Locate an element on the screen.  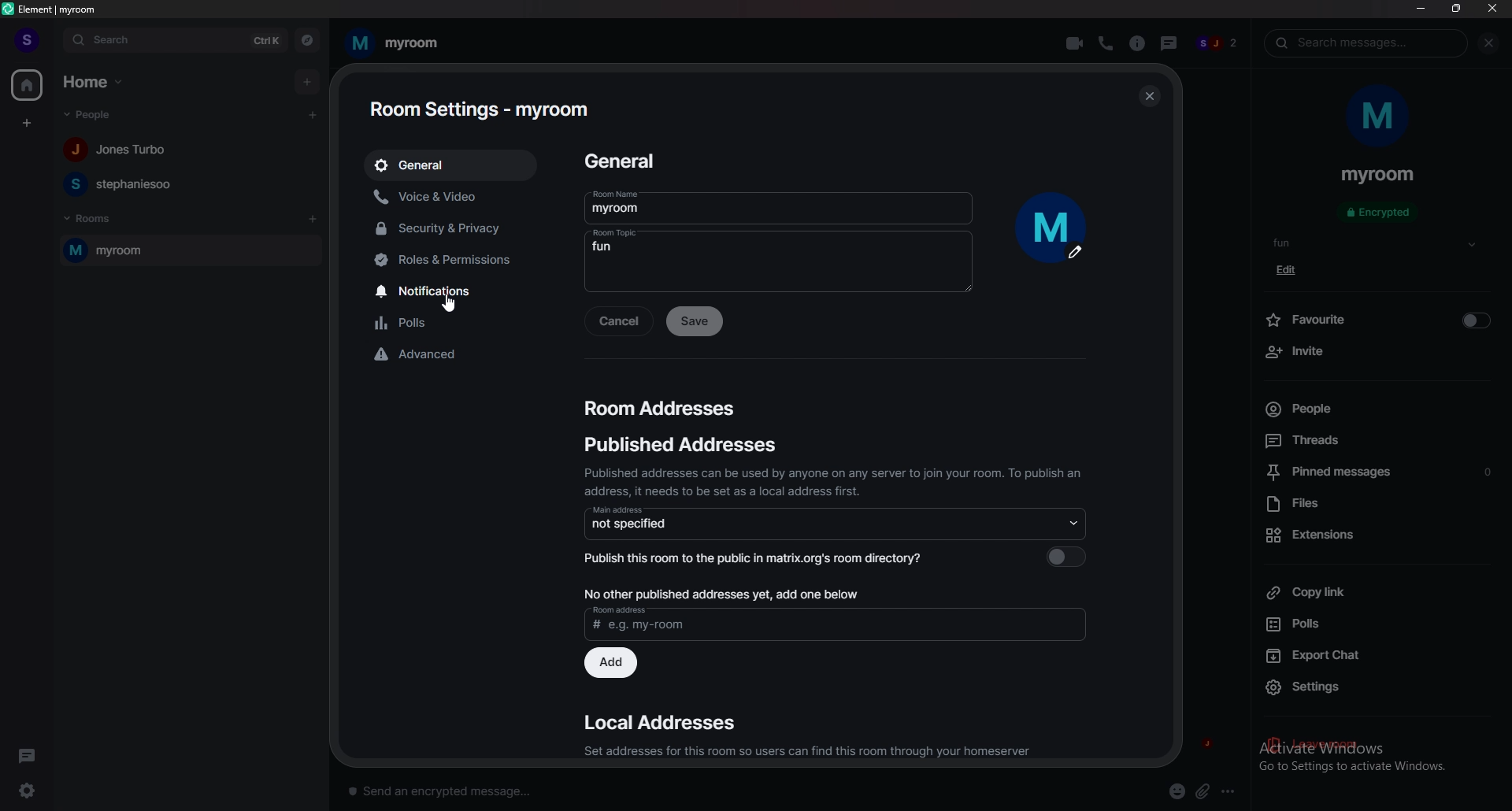
notifications is located at coordinates (461, 291).